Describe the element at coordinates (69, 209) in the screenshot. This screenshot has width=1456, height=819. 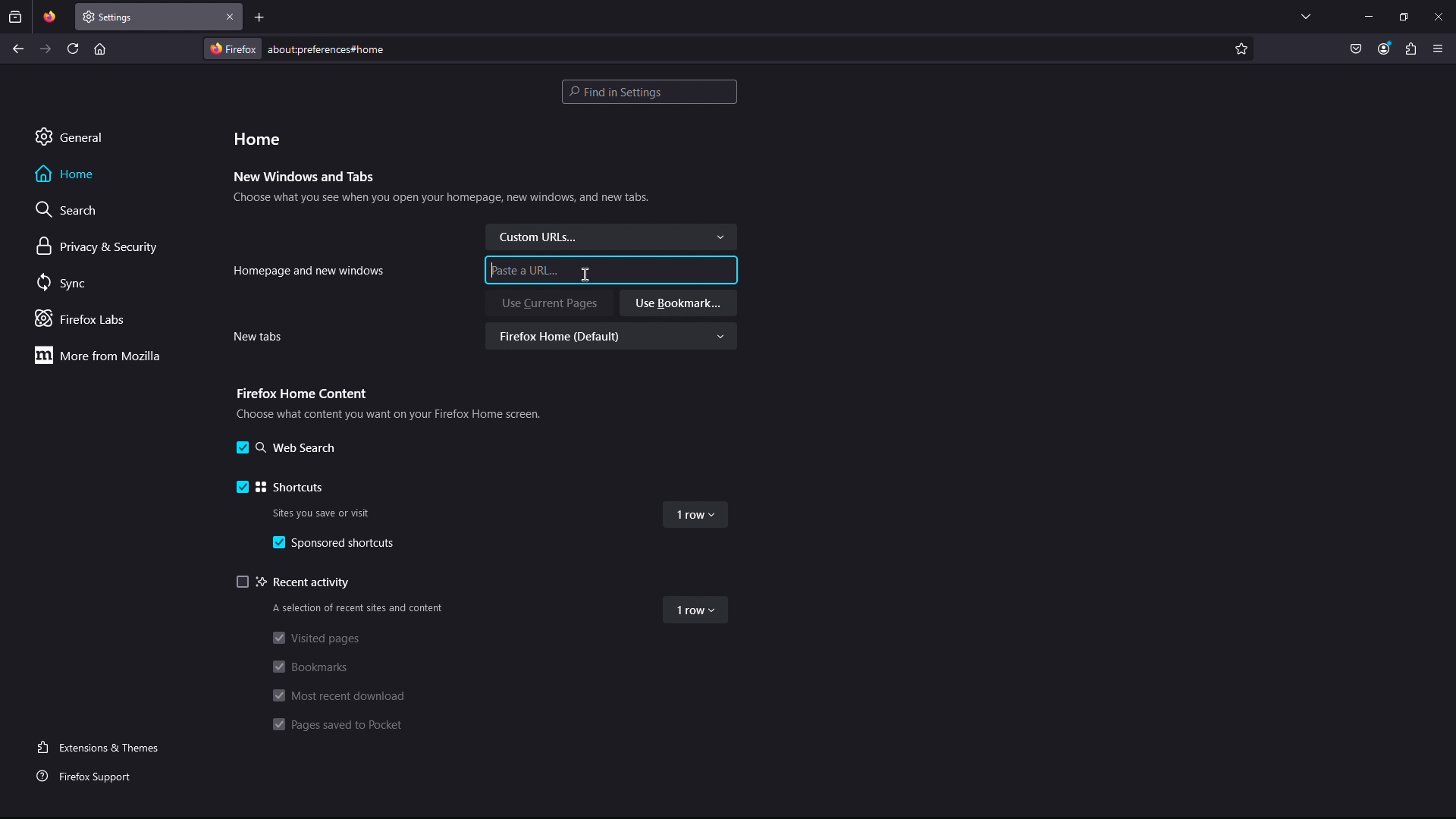
I see `Search` at that location.